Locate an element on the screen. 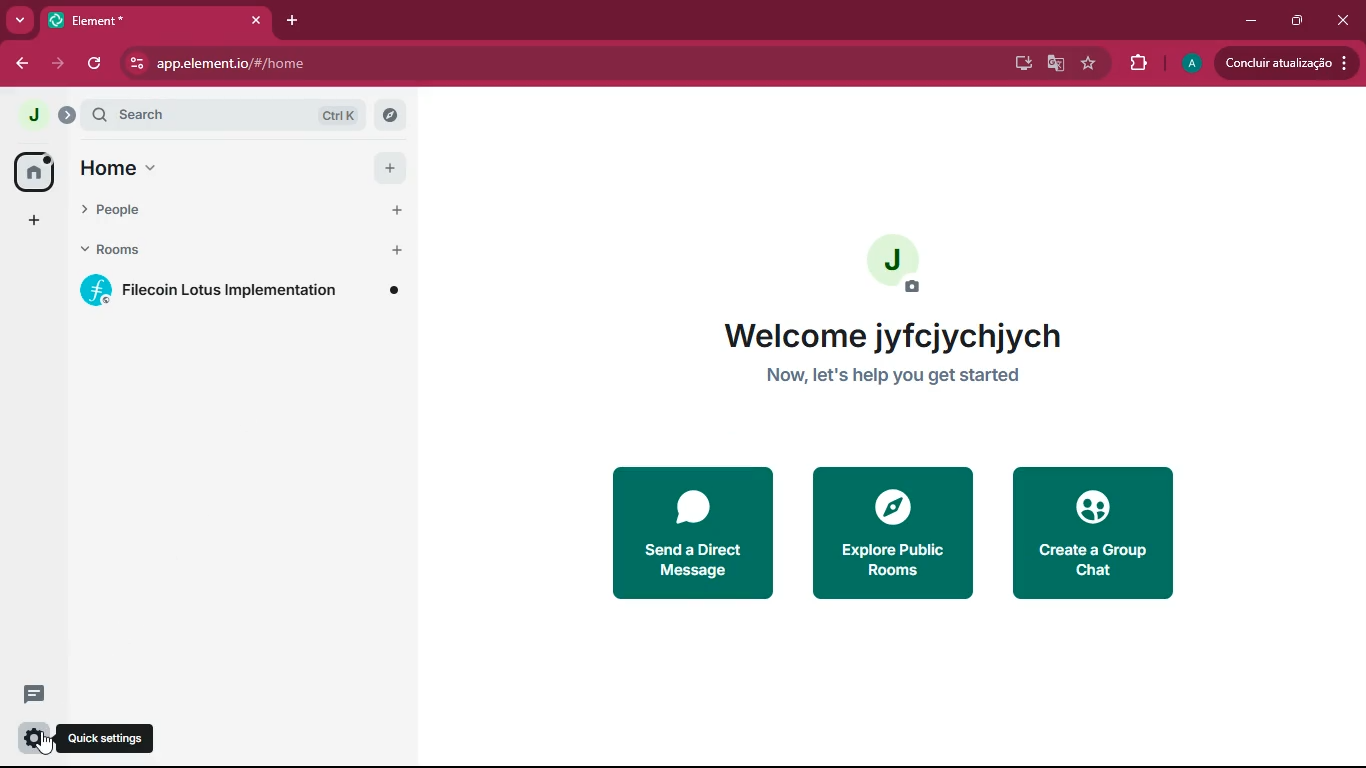  profile picture is located at coordinates (27, 116).